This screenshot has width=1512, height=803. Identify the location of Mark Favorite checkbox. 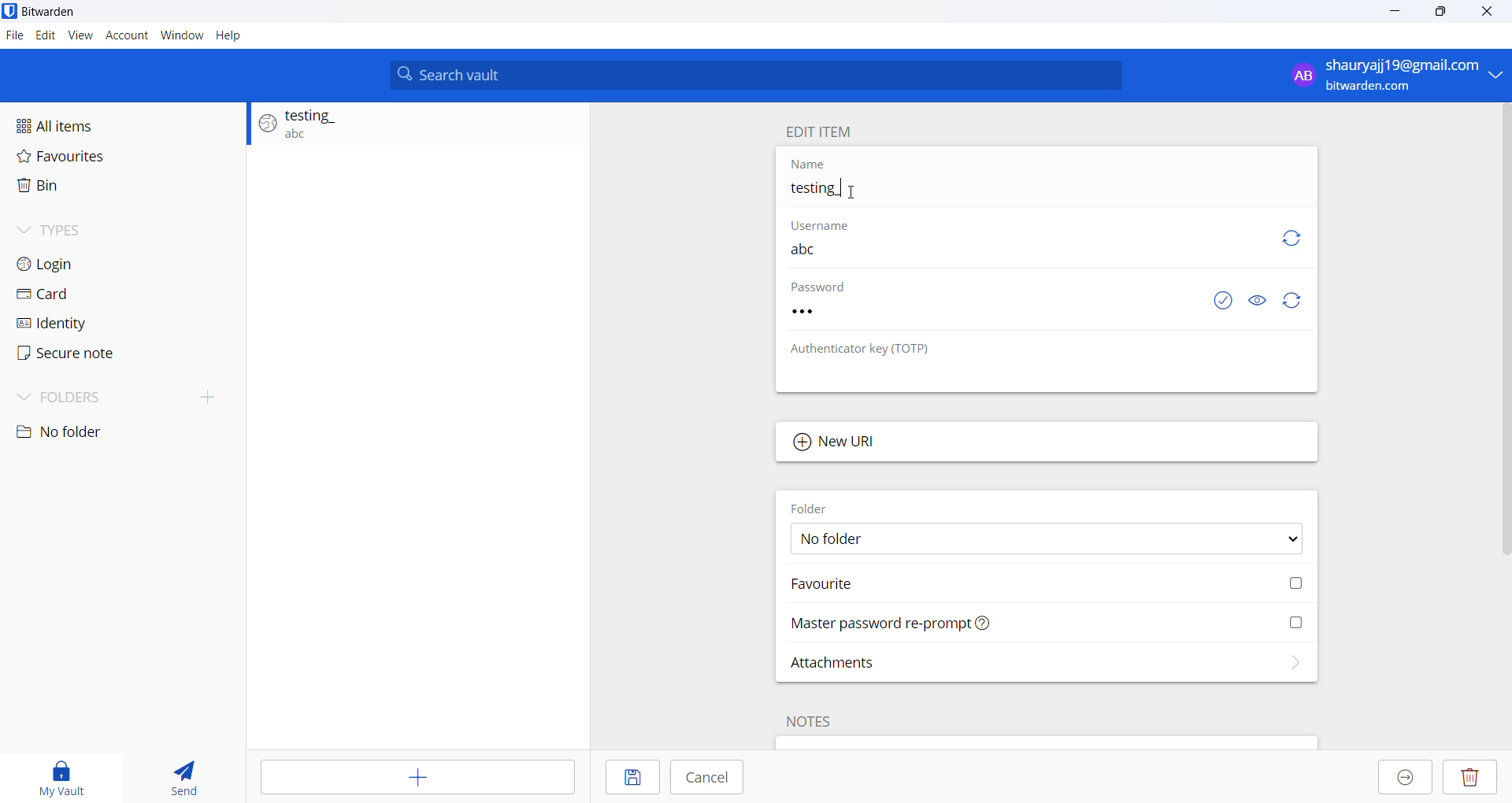
(1039, 586).